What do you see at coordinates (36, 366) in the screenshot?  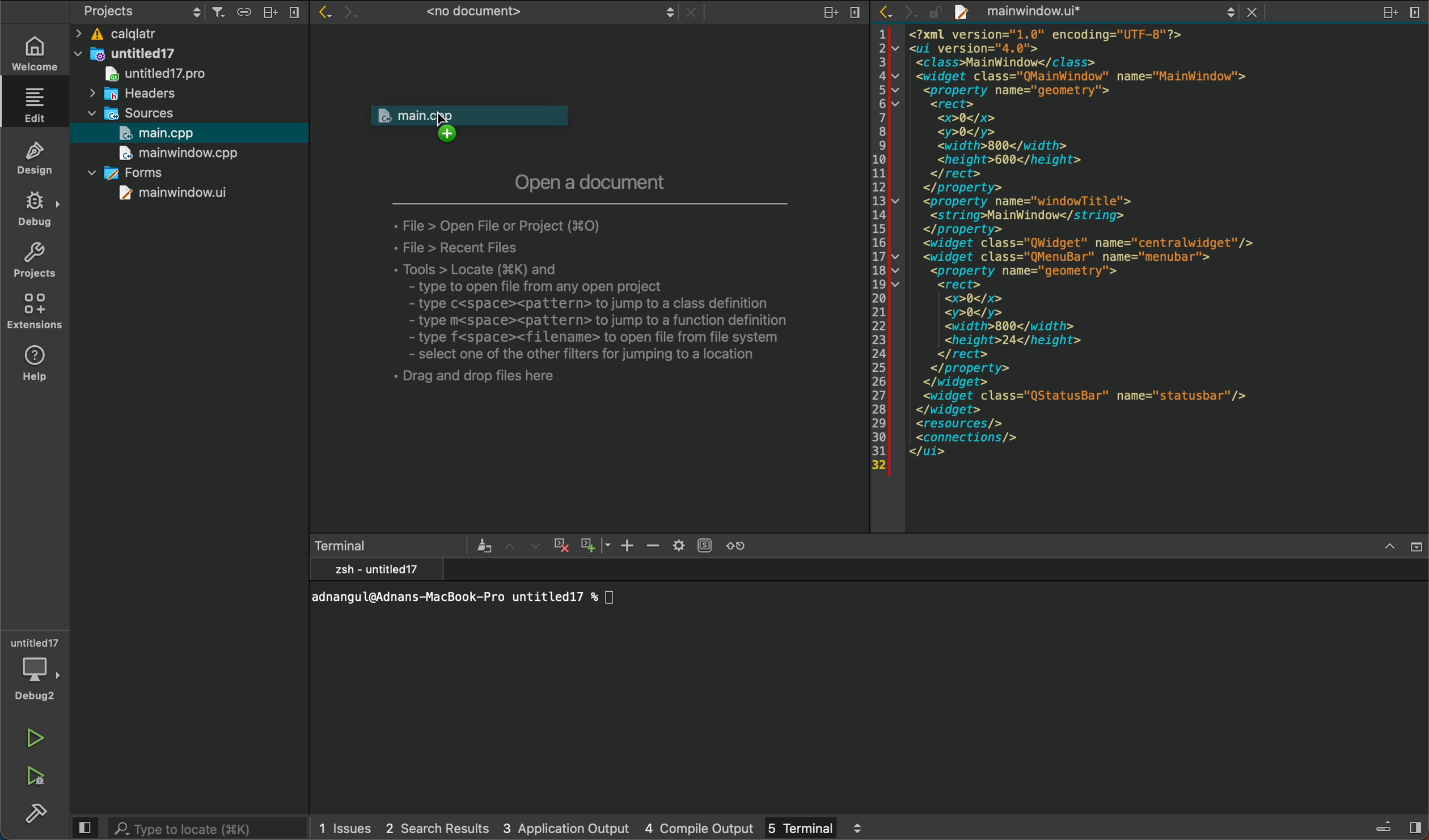 I see `help` at bounding box center [36, 366].